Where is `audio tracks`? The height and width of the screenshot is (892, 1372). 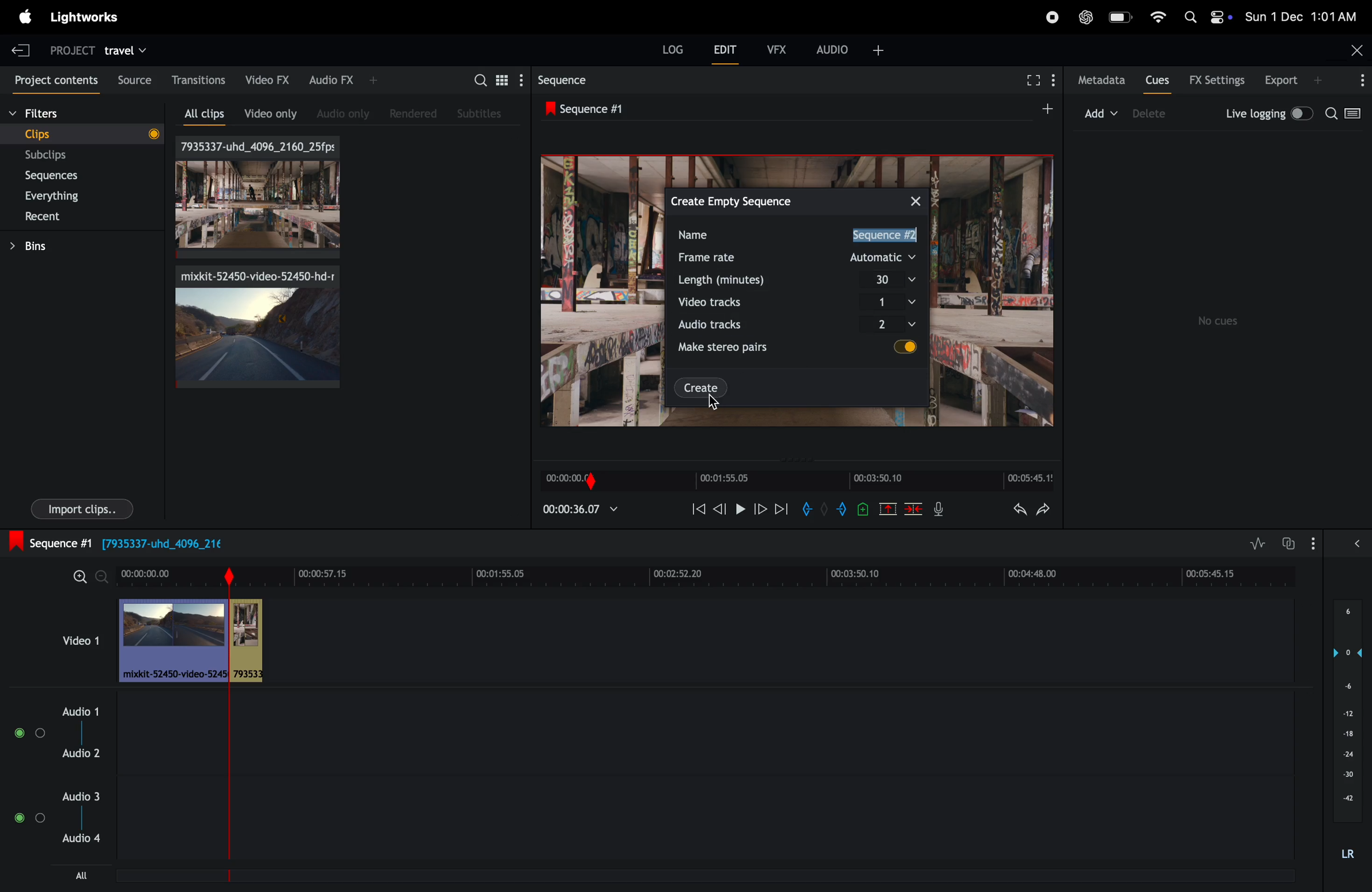 audio tracks is located at coordinates (724, 326).